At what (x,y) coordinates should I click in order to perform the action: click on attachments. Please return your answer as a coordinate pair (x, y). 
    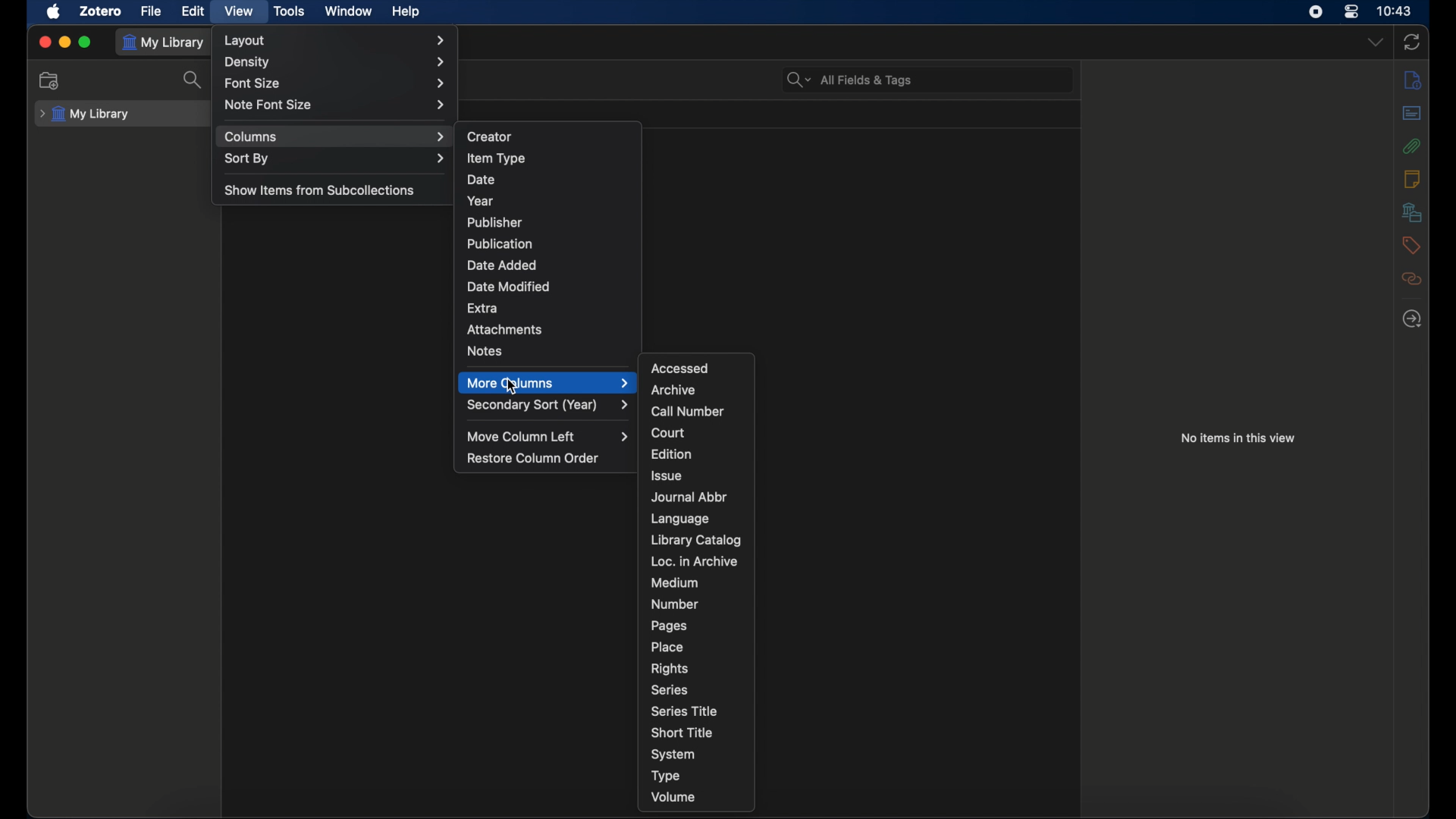
    Looking at the image, I should click on (1411, 146).